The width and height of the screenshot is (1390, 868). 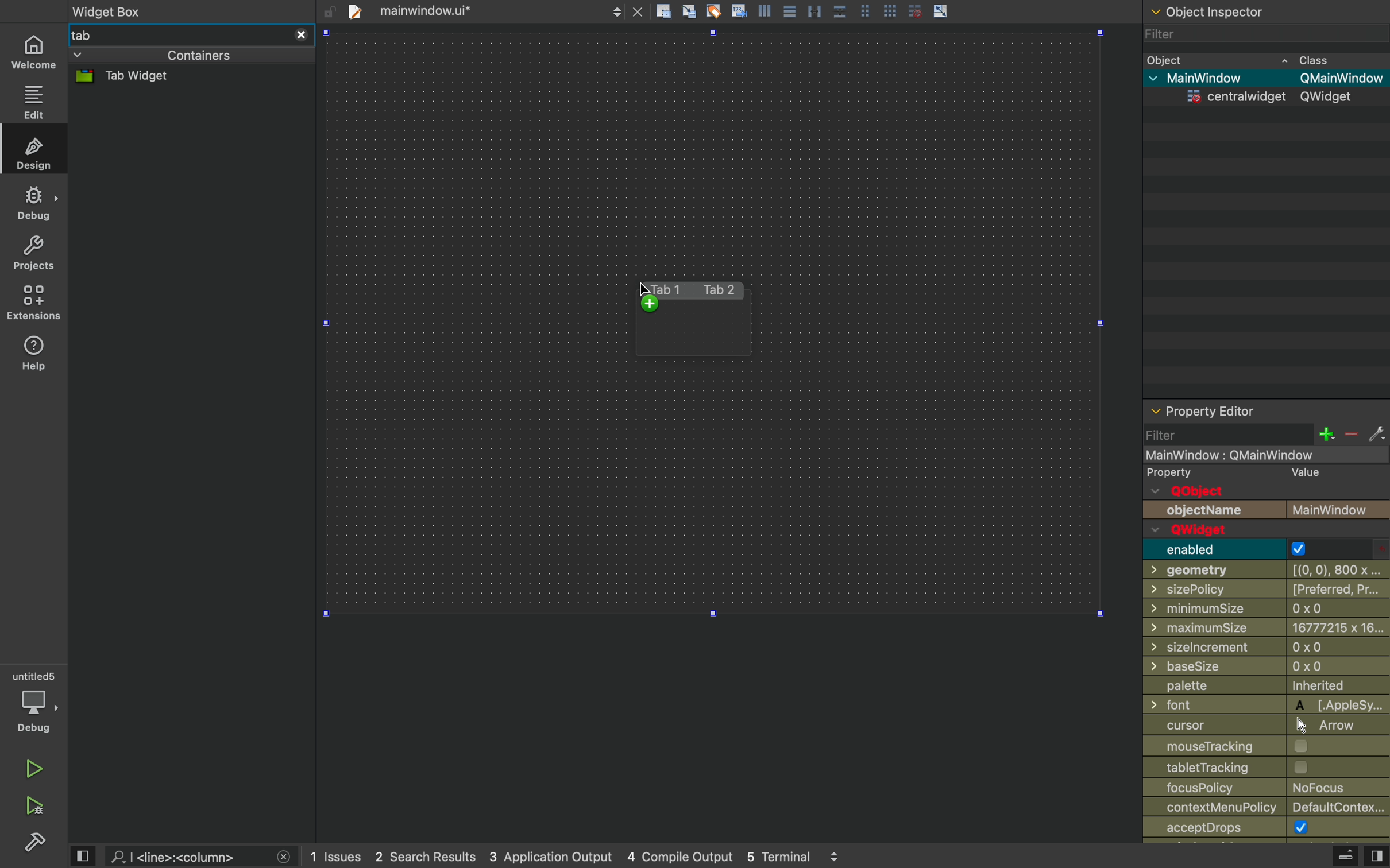 What do you see at coordinates (738, 10) in the screenshot?
I see `insert text ` at bounding box center [738, 10].